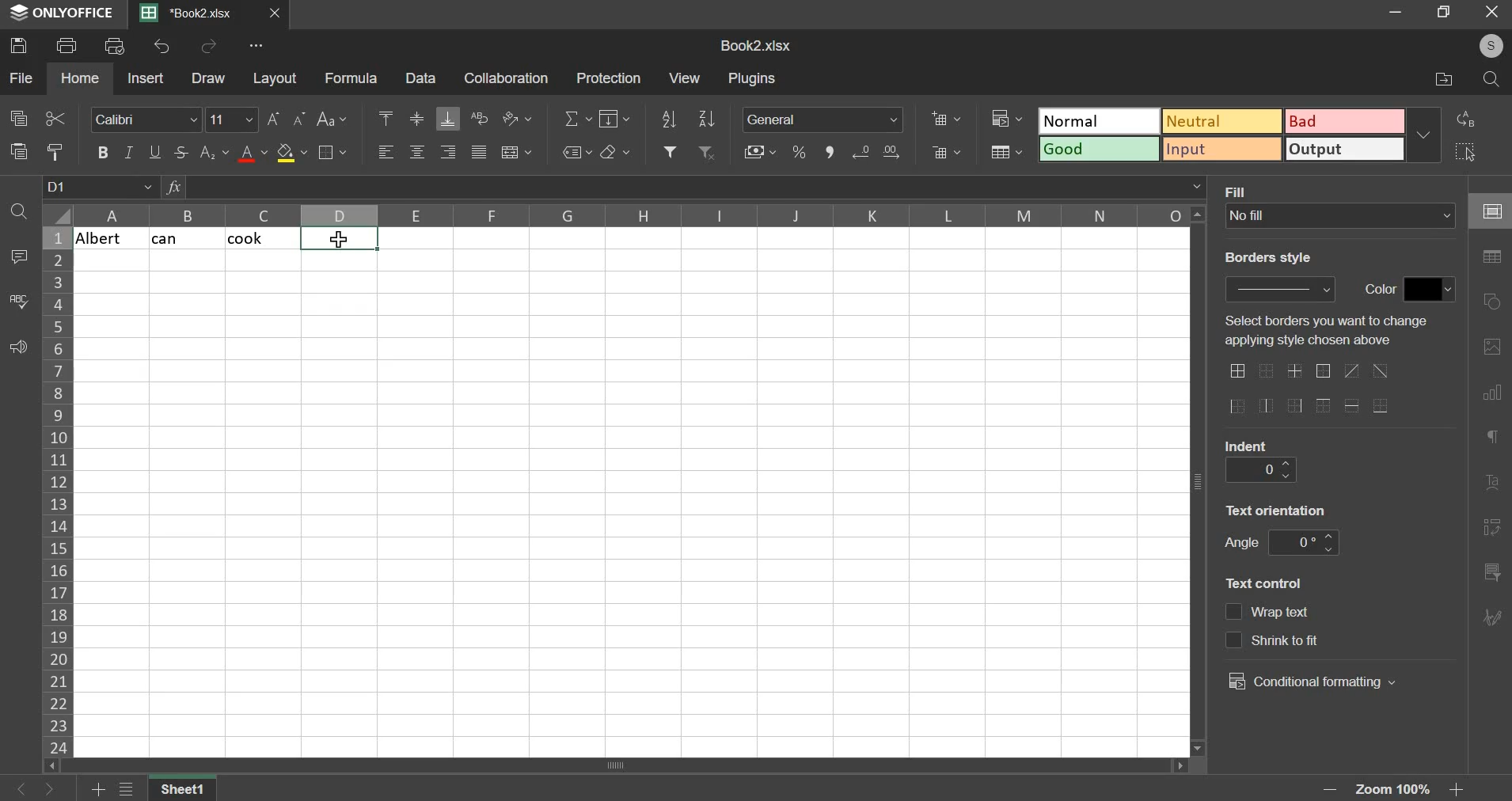  Describe the element at coordinates (135, 790) in the screenshot. I see `view all sheets` at that location.